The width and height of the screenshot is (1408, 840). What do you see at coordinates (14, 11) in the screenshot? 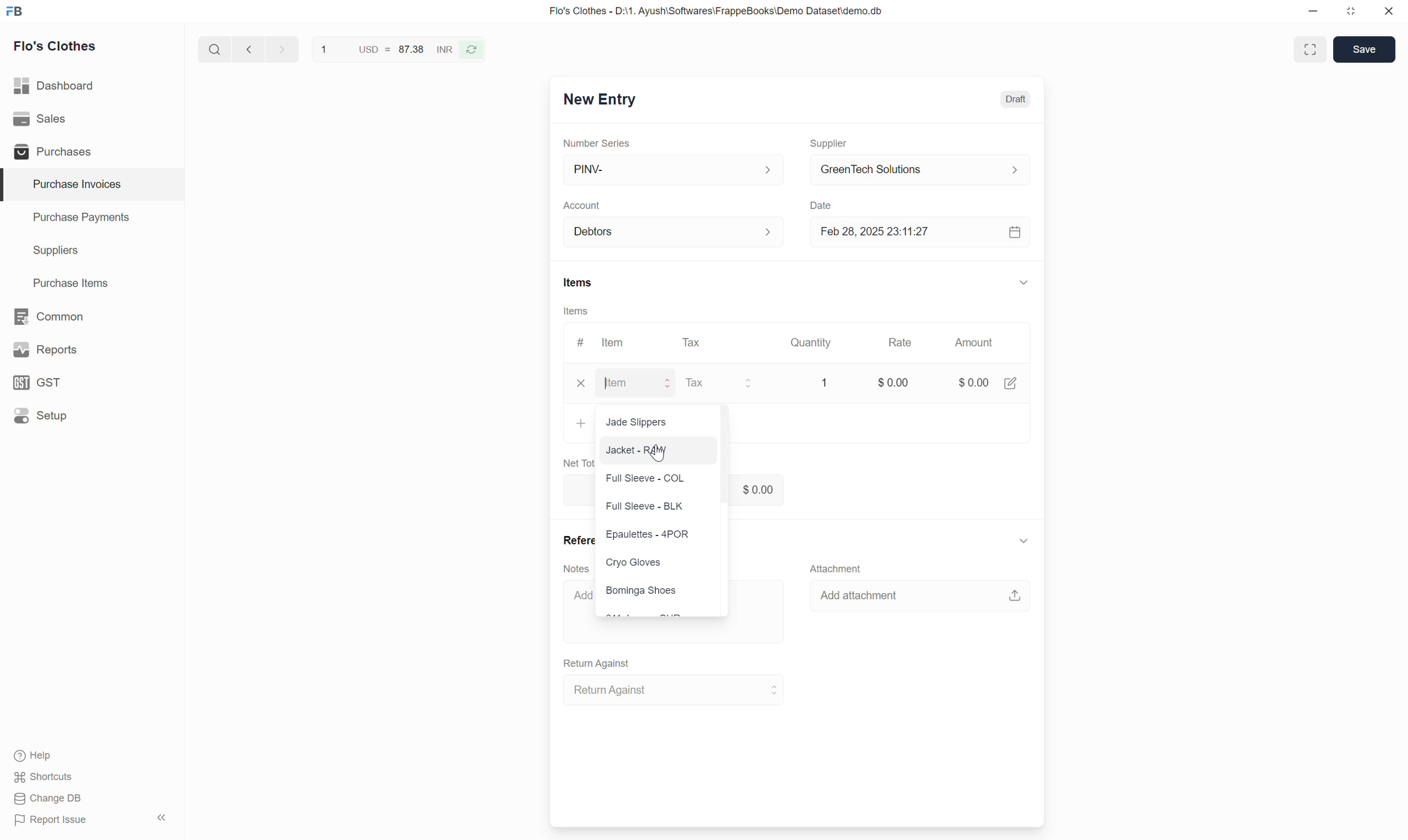
I see `Frappe Books logo` at bounding box center [14, 11].